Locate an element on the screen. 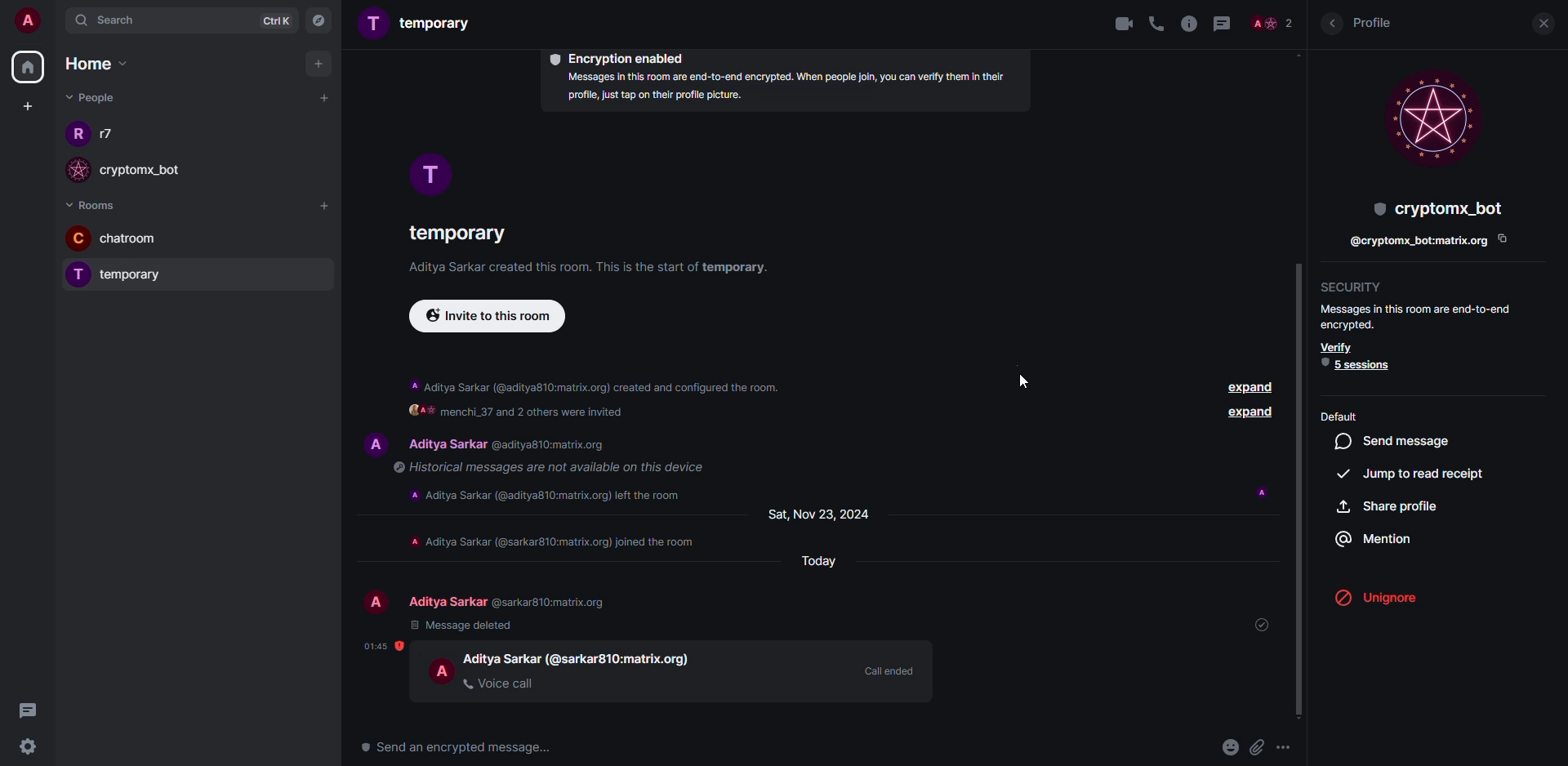 Image resolution: width=1568 pixels, height=766 pixels. jump to read receipt is located at coordinates (1414, 473).